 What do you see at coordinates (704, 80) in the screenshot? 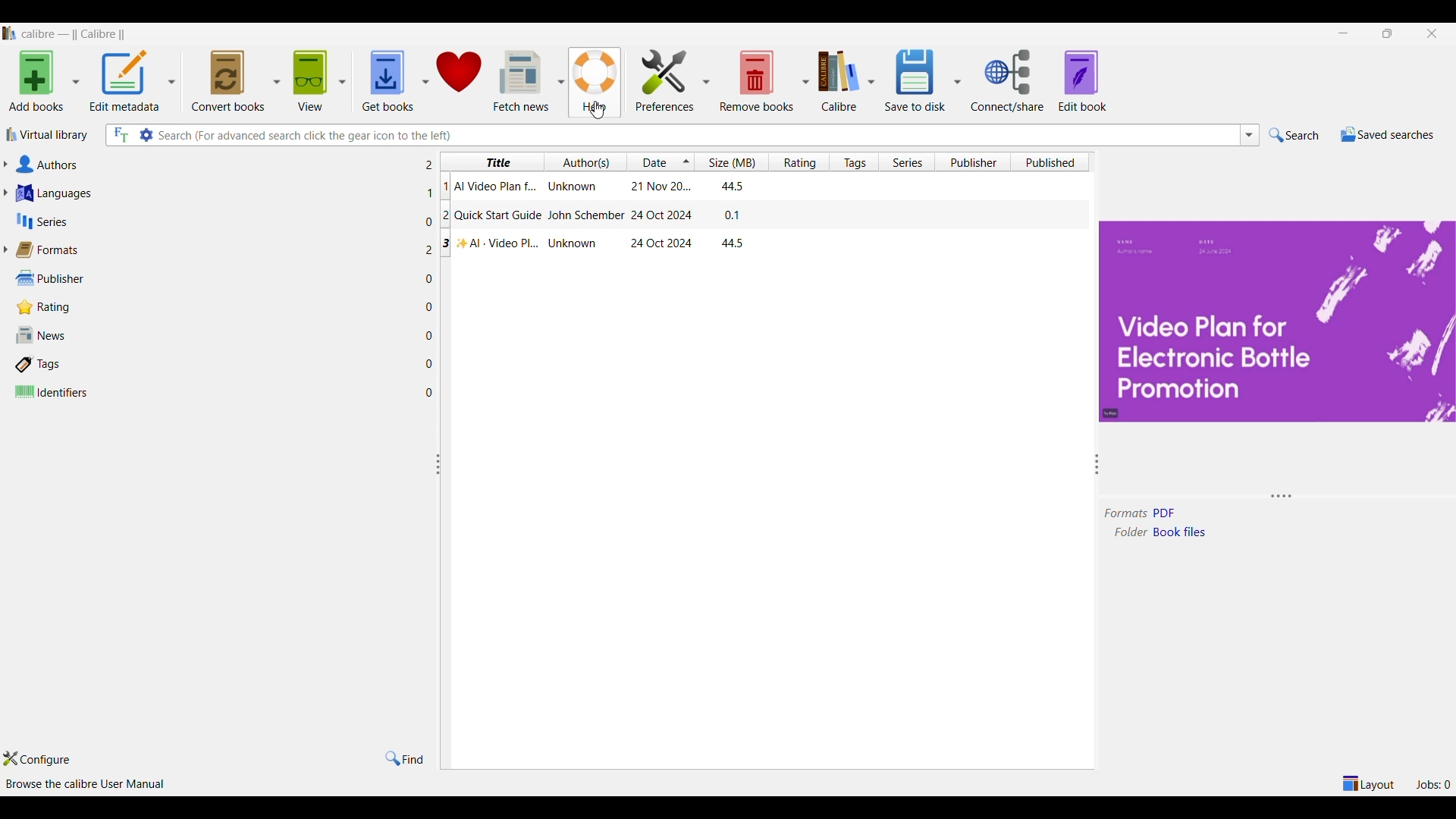
I see `Preferences options` at bounding box center [704, 80].